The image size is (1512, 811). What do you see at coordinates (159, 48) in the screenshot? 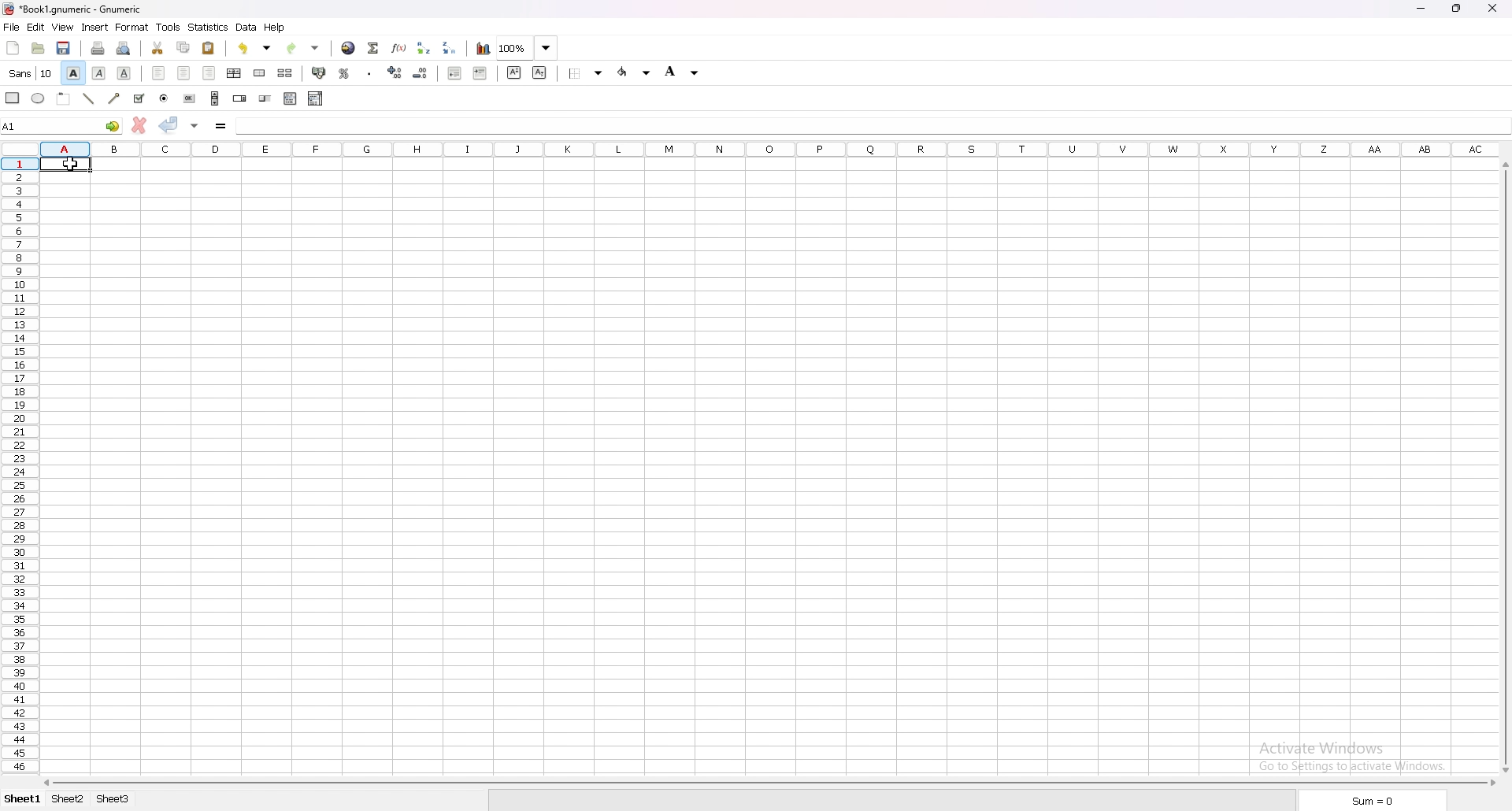
I see `cut` at bounding box center [159, 48].